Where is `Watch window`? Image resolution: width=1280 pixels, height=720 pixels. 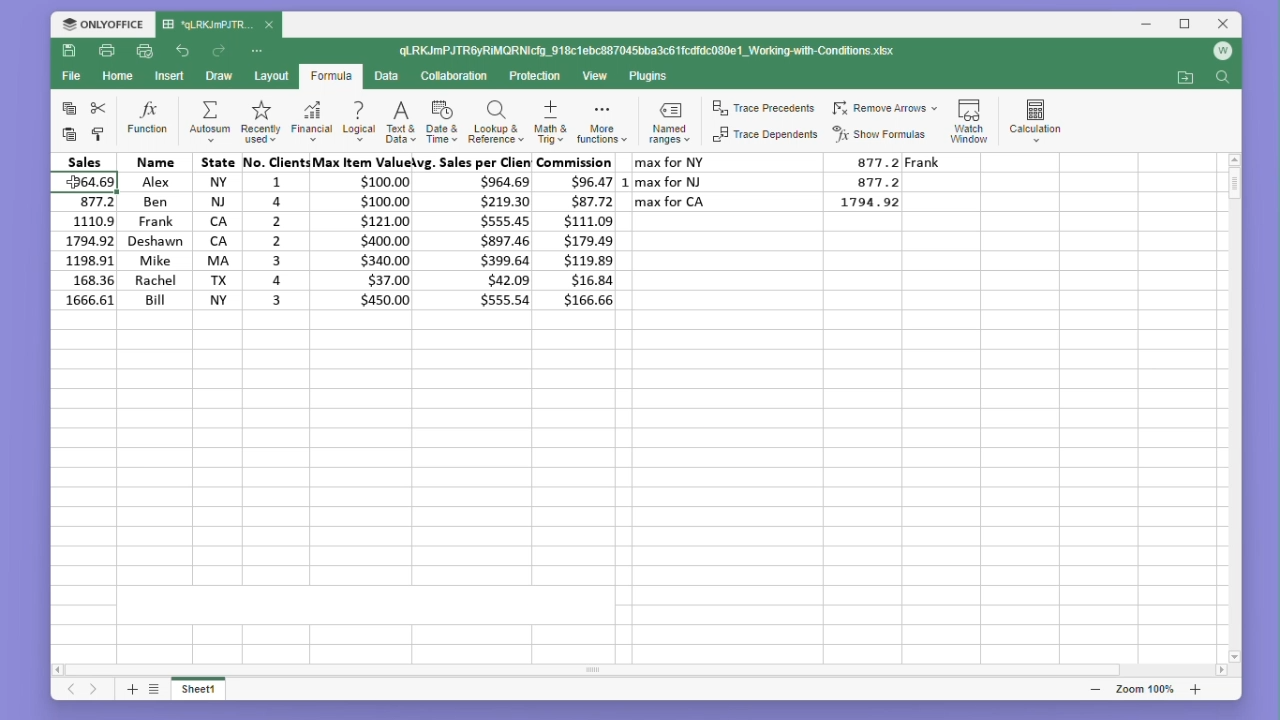 Watch window is located at coordinates (970, 118).